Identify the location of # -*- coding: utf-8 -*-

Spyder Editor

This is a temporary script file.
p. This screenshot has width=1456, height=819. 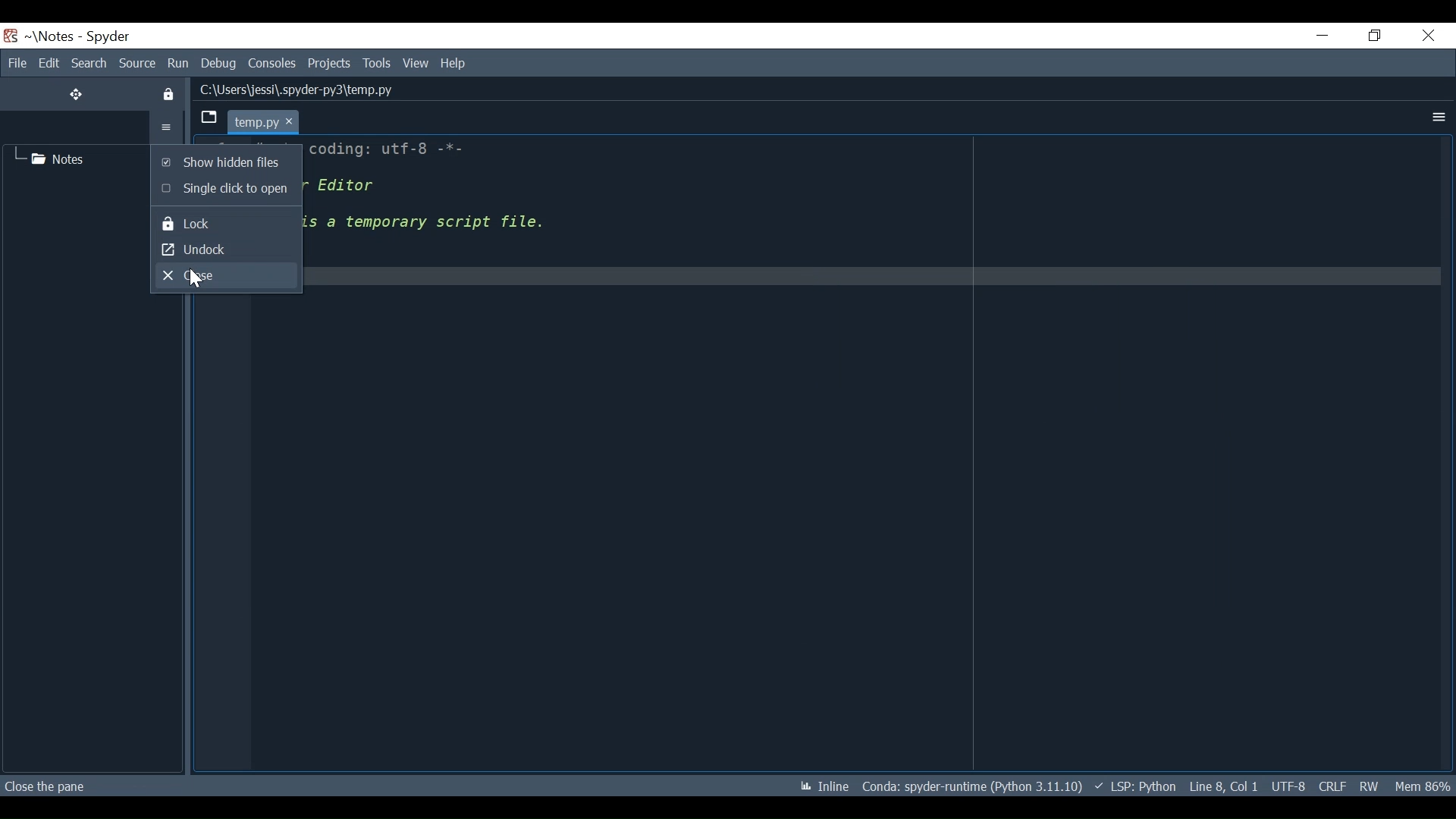
(536, 219).